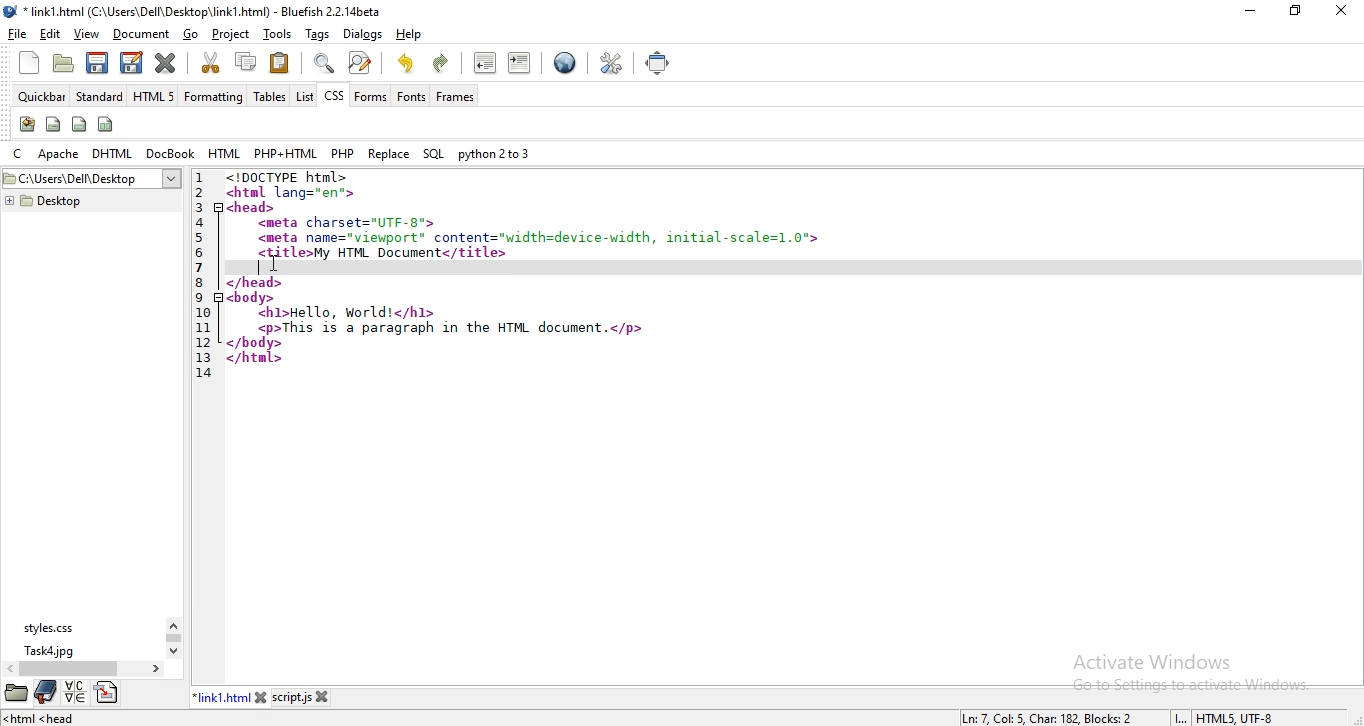 The image size is (1364, 726). Describe the element at coordinates (564, 64) in the screenshot. I see `preview in browser` at that location.